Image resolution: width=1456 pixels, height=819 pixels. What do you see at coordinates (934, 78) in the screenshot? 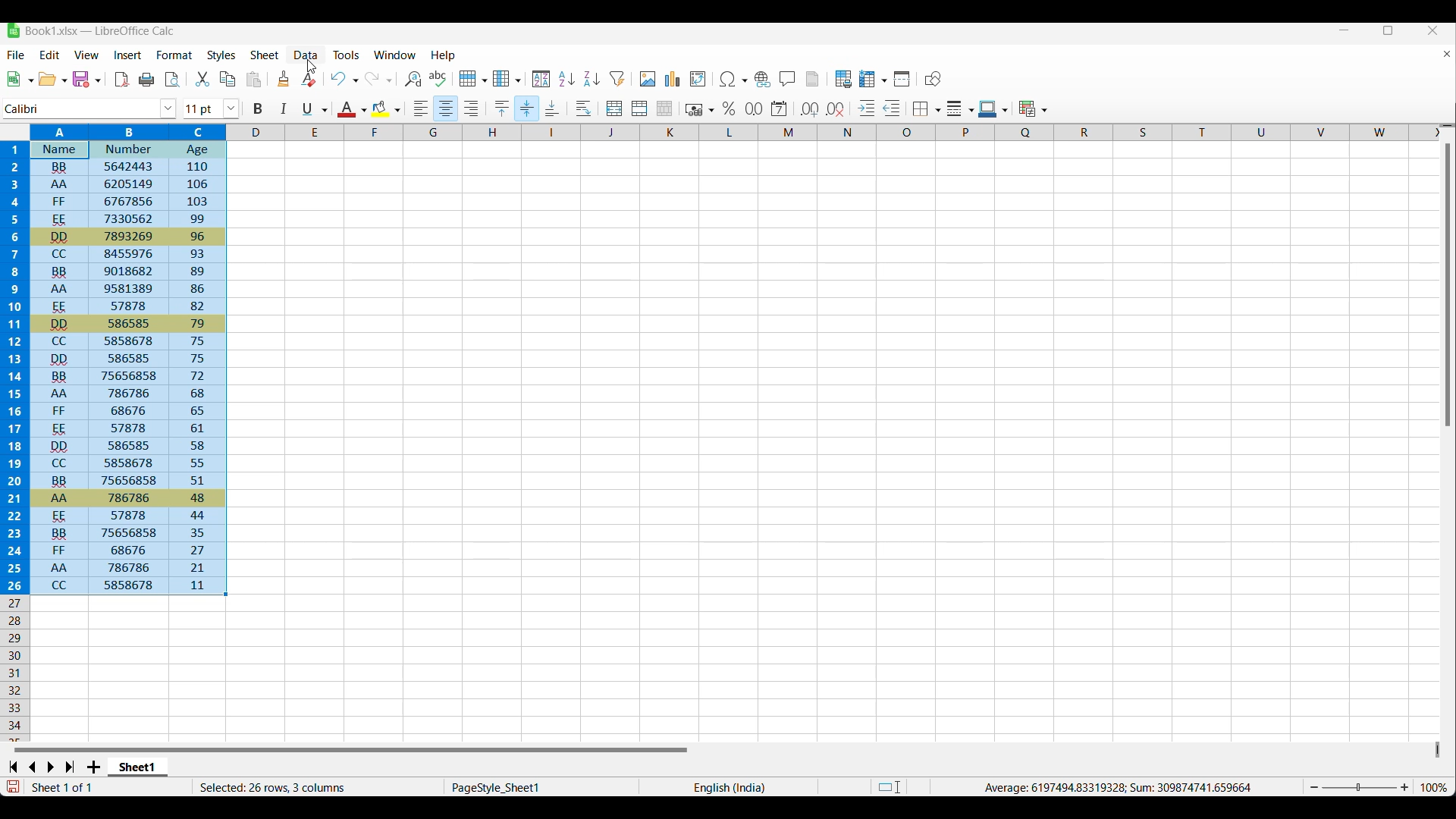
I see `Show draw fuctions` at bounding box center [934, 78].